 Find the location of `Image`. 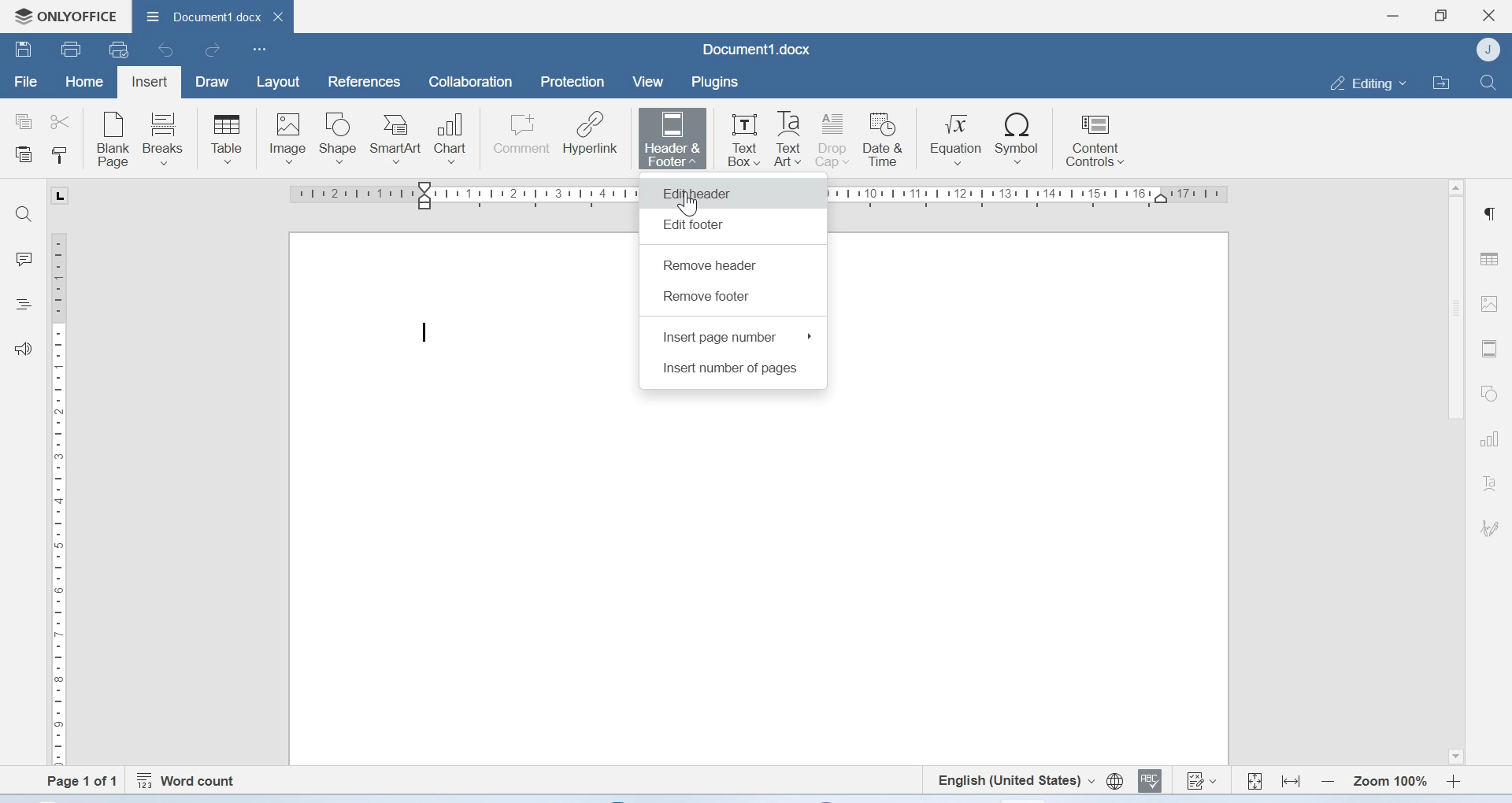

Image is located at coordinates (1492, 306).